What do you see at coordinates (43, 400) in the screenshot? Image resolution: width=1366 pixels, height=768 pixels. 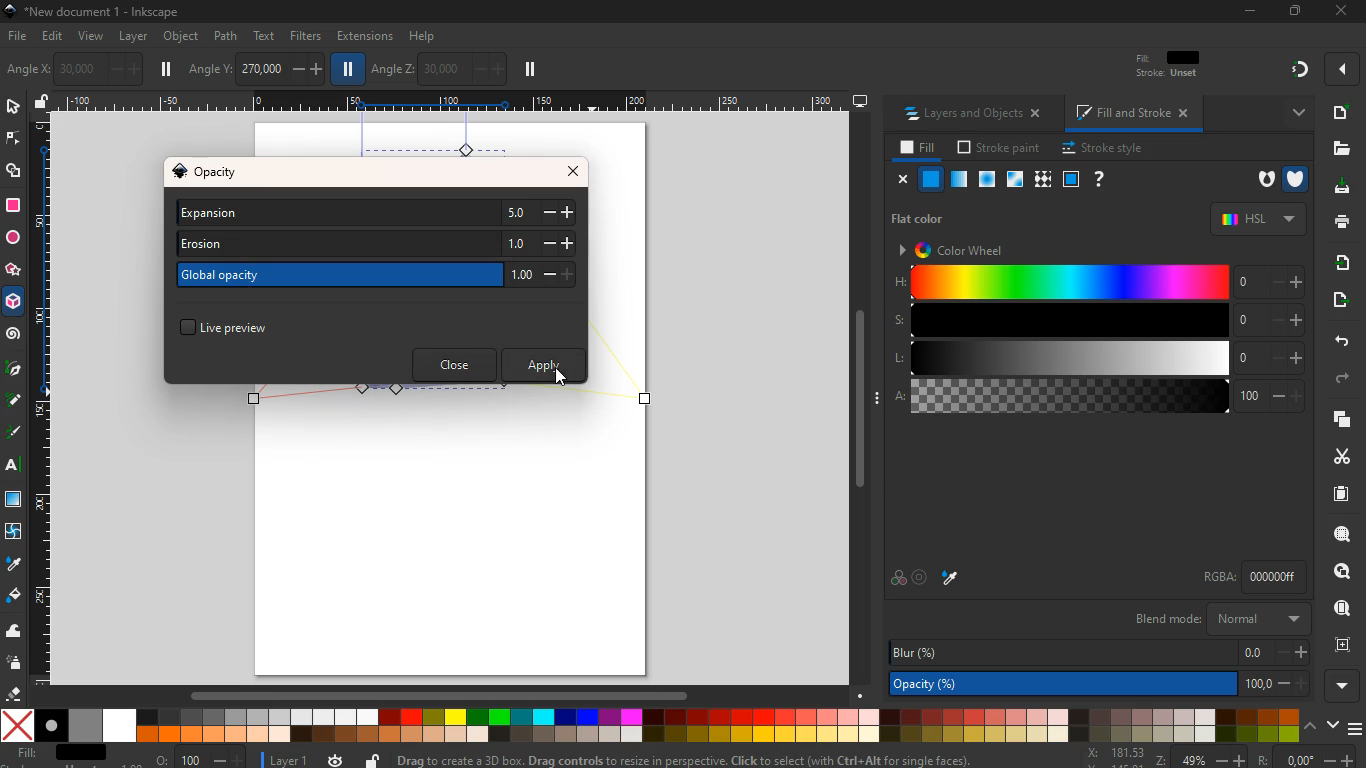 I see `Scale` at bounding box center [43, 400].